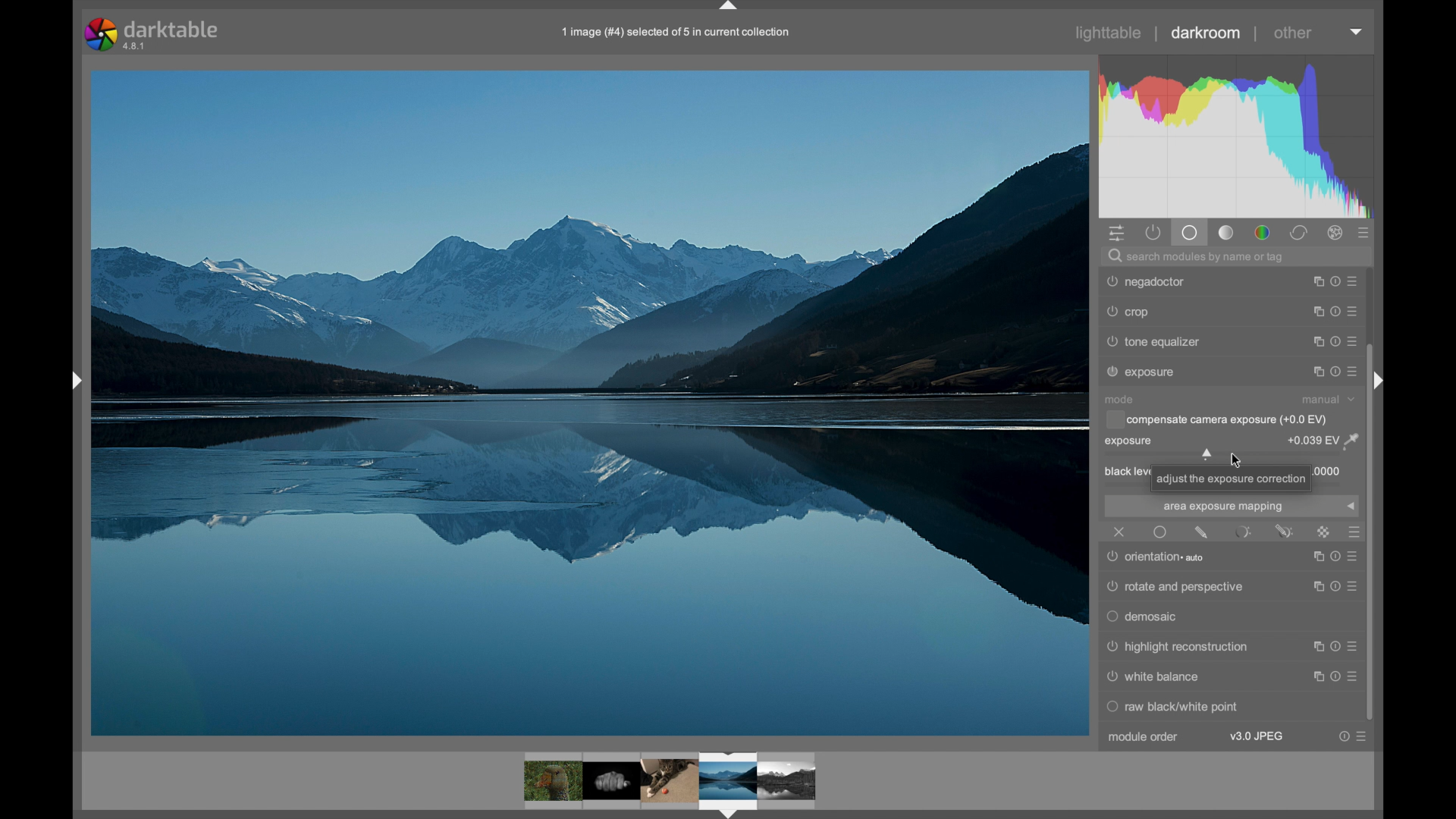 The width and height of the screenshot is (1456, 819). I want to click on base, so click(1191, 233).